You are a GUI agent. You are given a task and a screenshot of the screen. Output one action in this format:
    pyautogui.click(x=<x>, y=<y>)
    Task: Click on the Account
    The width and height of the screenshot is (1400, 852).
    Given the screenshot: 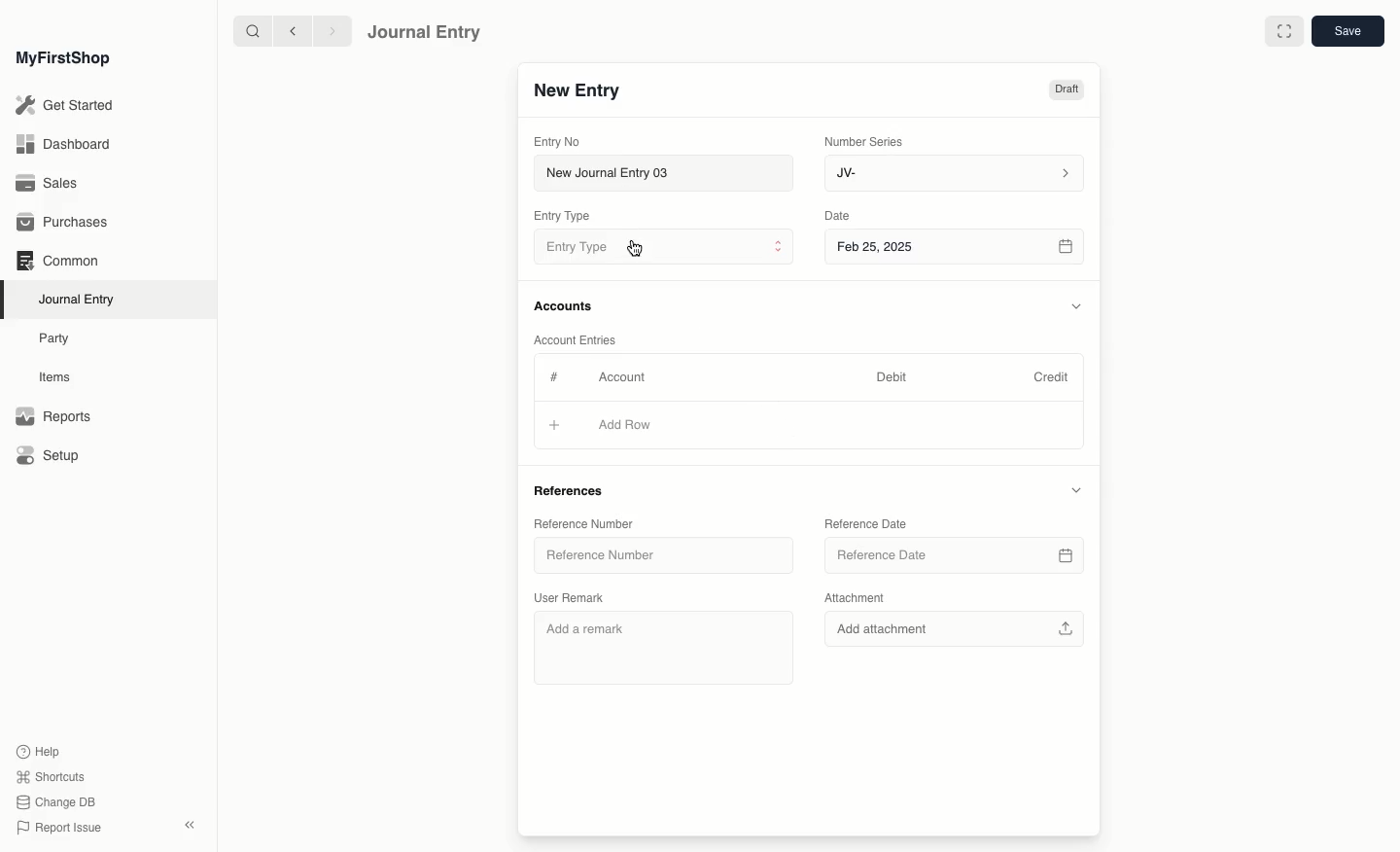 What is the action you would take?
    pyautogui.click(x=621, y=377)
    